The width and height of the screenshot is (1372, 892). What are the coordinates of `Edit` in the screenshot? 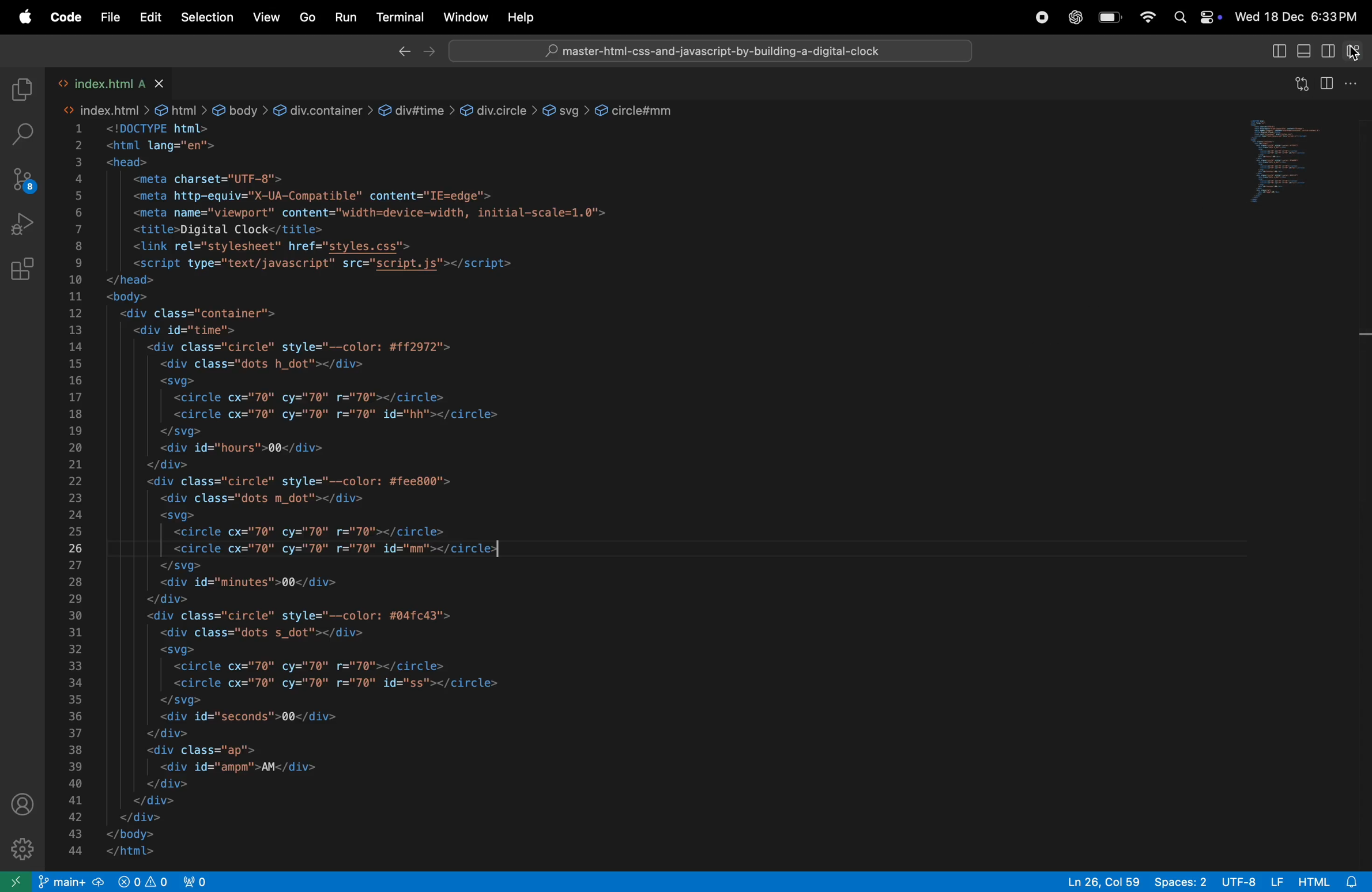 It's located at (150, 17).